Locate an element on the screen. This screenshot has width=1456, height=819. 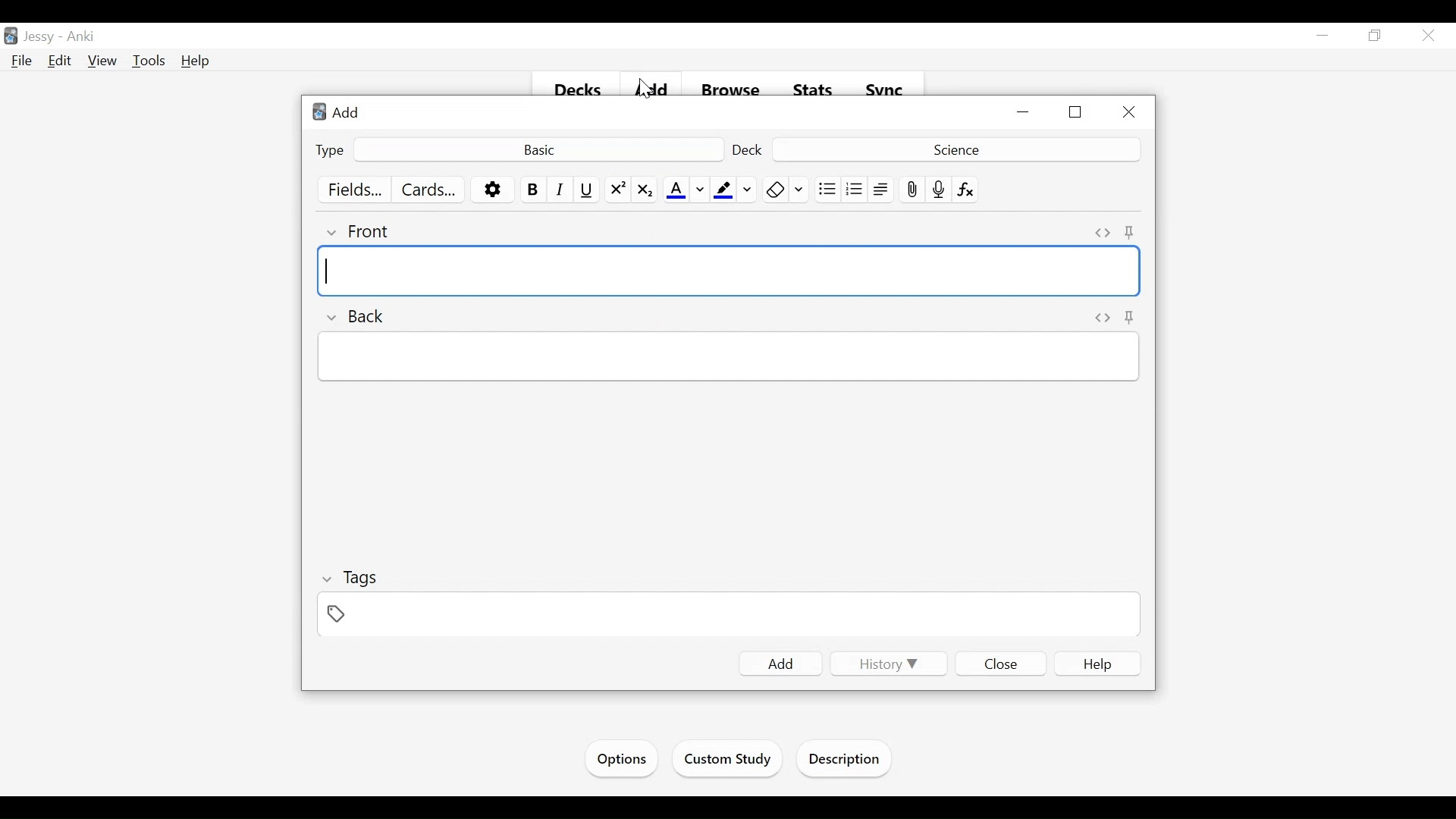
Tags is located at coordinates (351, 579).